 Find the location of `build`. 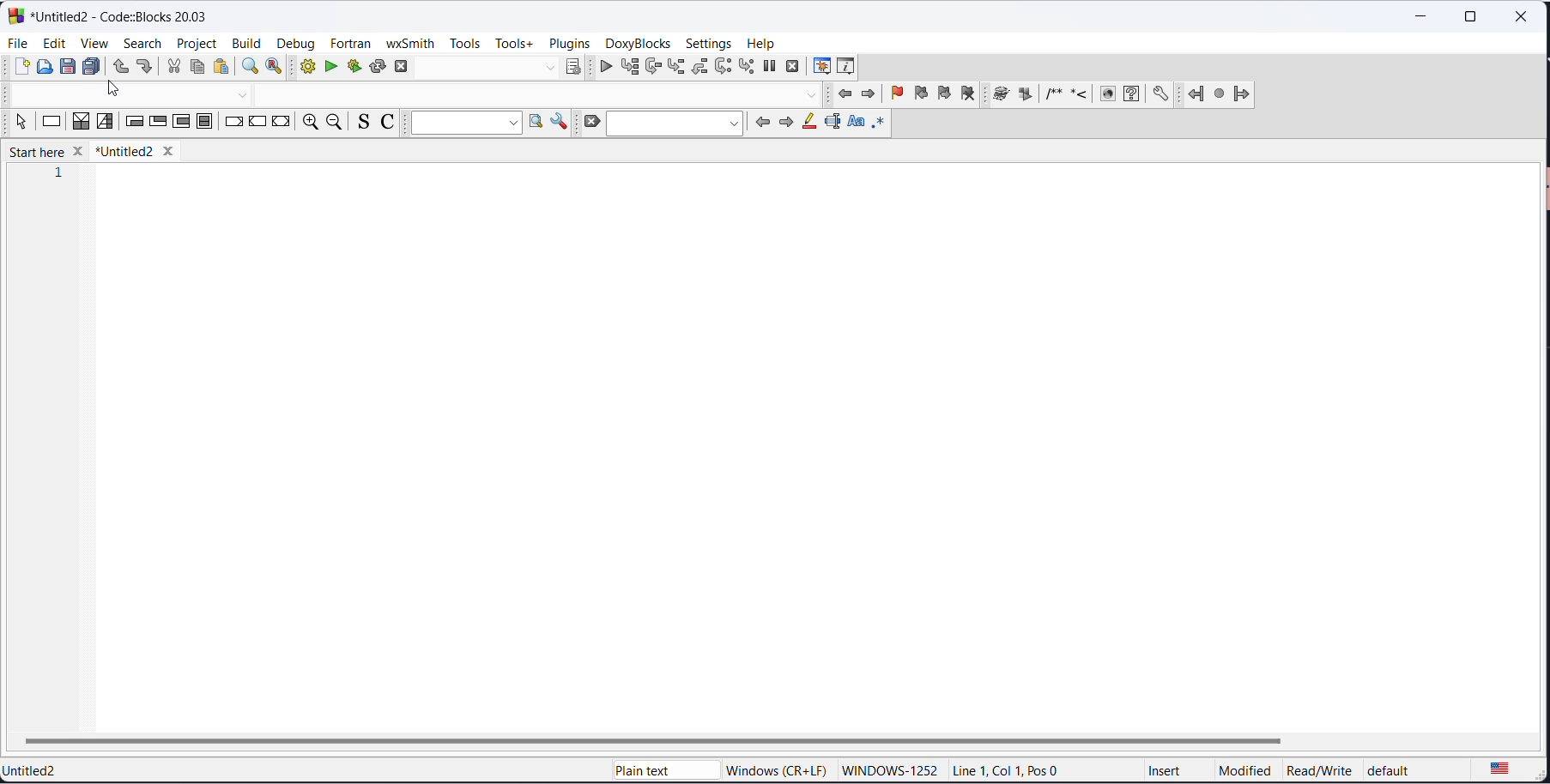

build is located at coordinates (305, 69).